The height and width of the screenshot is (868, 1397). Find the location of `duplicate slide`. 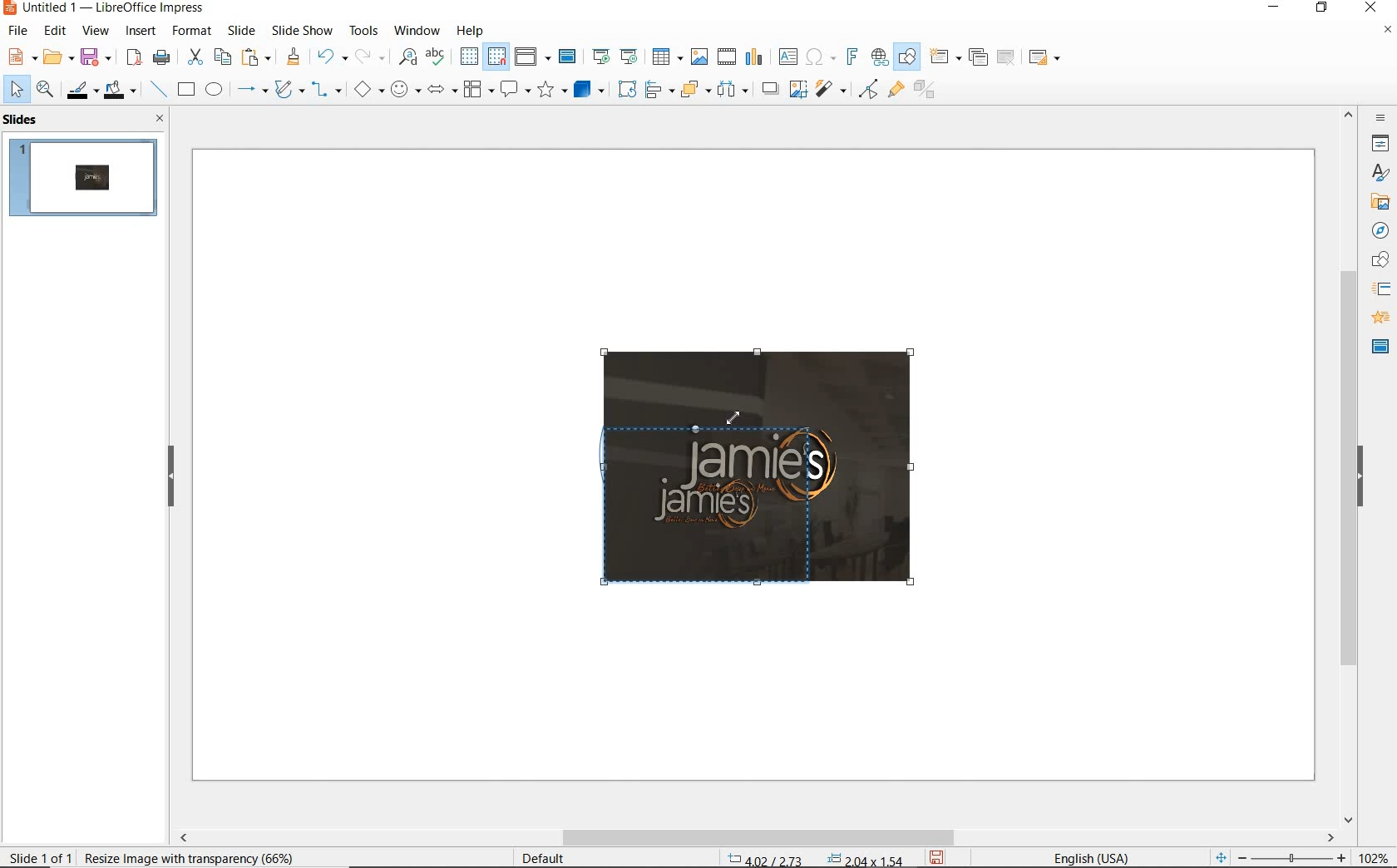

duplicate slide is located at coordinates (978, 57).